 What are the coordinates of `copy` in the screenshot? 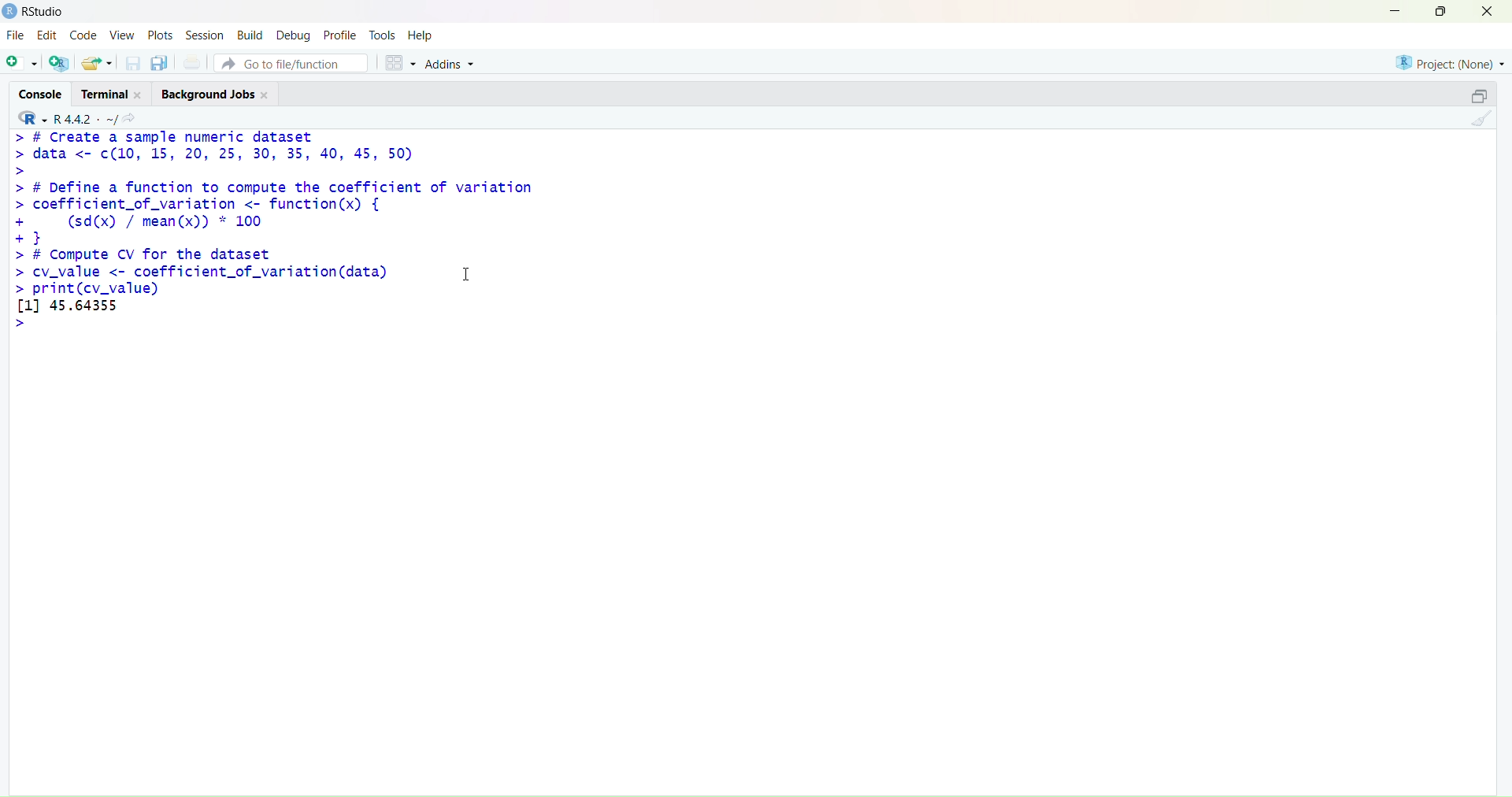 It's located at (159, 63).